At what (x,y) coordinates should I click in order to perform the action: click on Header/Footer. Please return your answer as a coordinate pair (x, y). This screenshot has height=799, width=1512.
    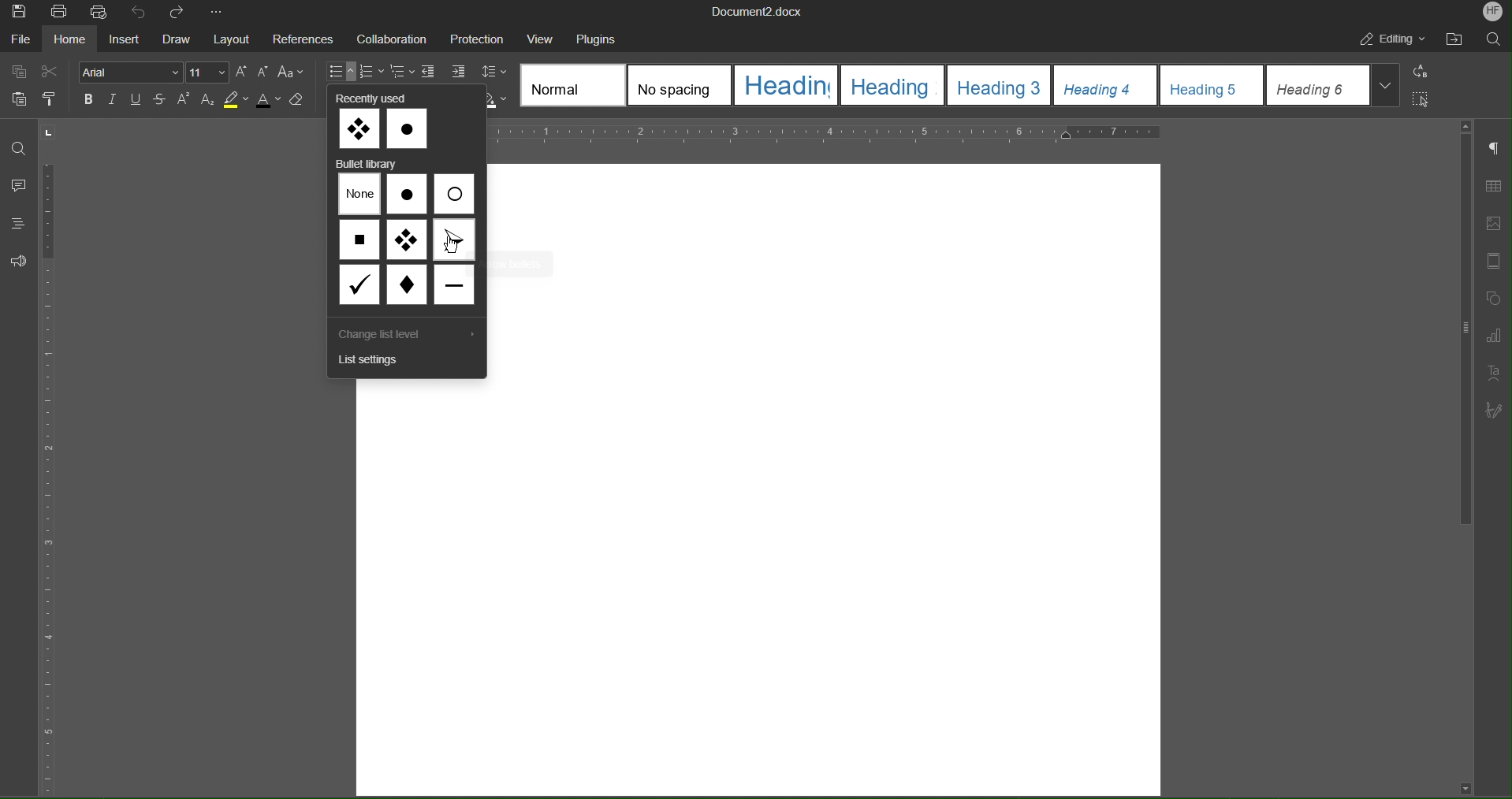
    Looking at the image, I should click on (1488, 260).